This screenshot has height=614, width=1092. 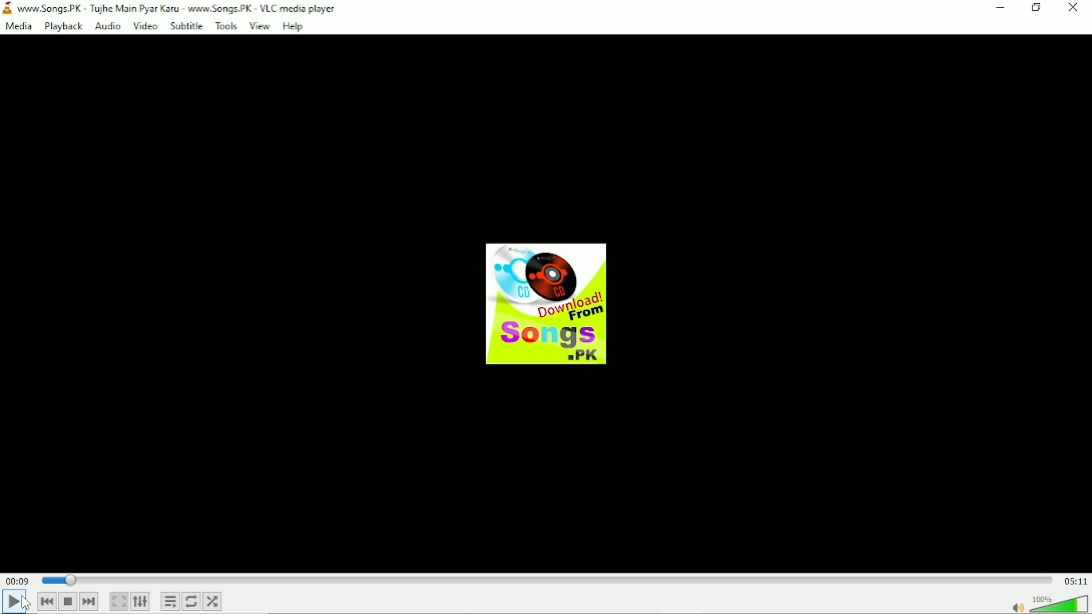 I want to click on Audio, so click(x=106, y=26).